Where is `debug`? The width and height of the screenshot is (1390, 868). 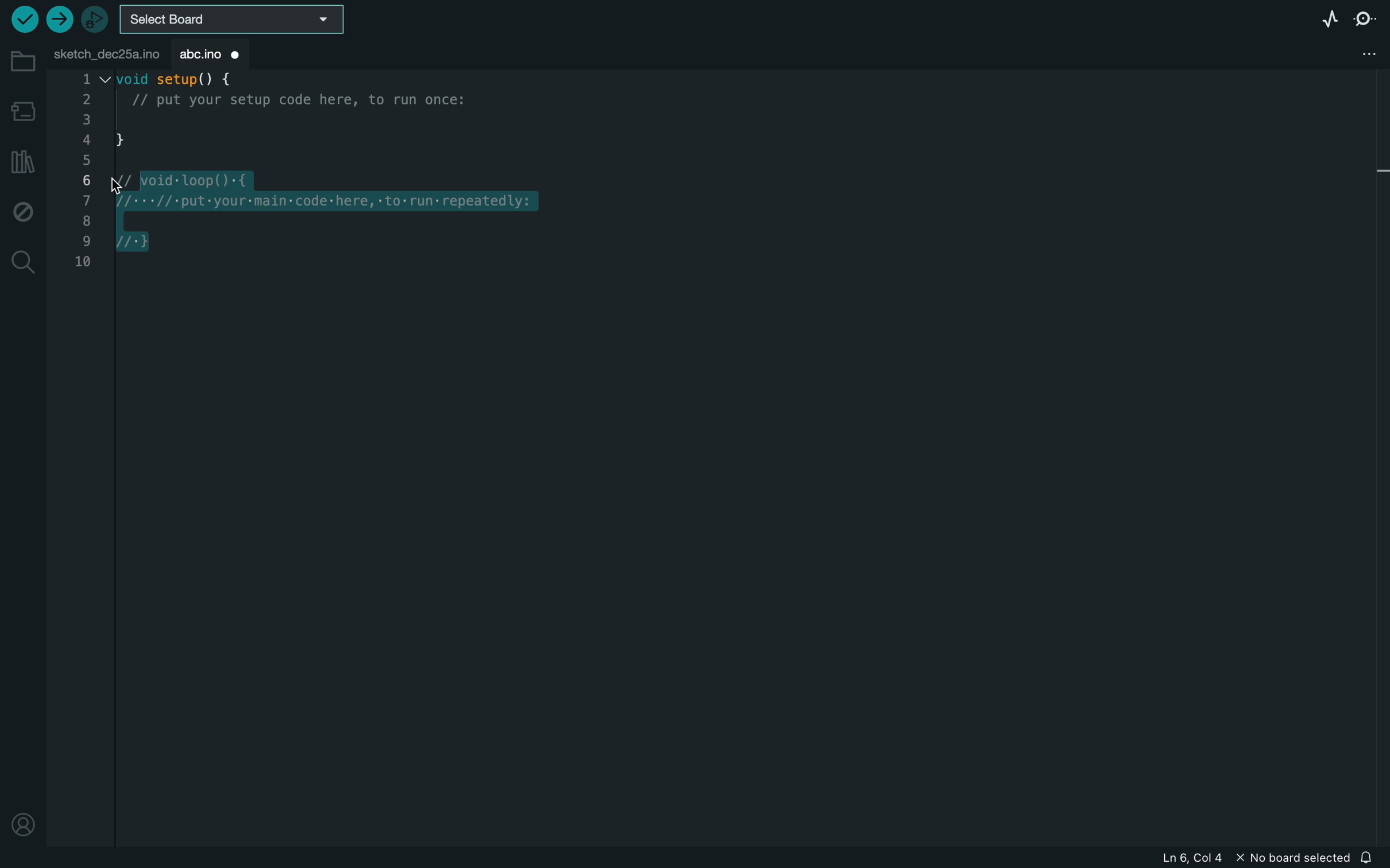 debug is located at coordinates (22, 210).